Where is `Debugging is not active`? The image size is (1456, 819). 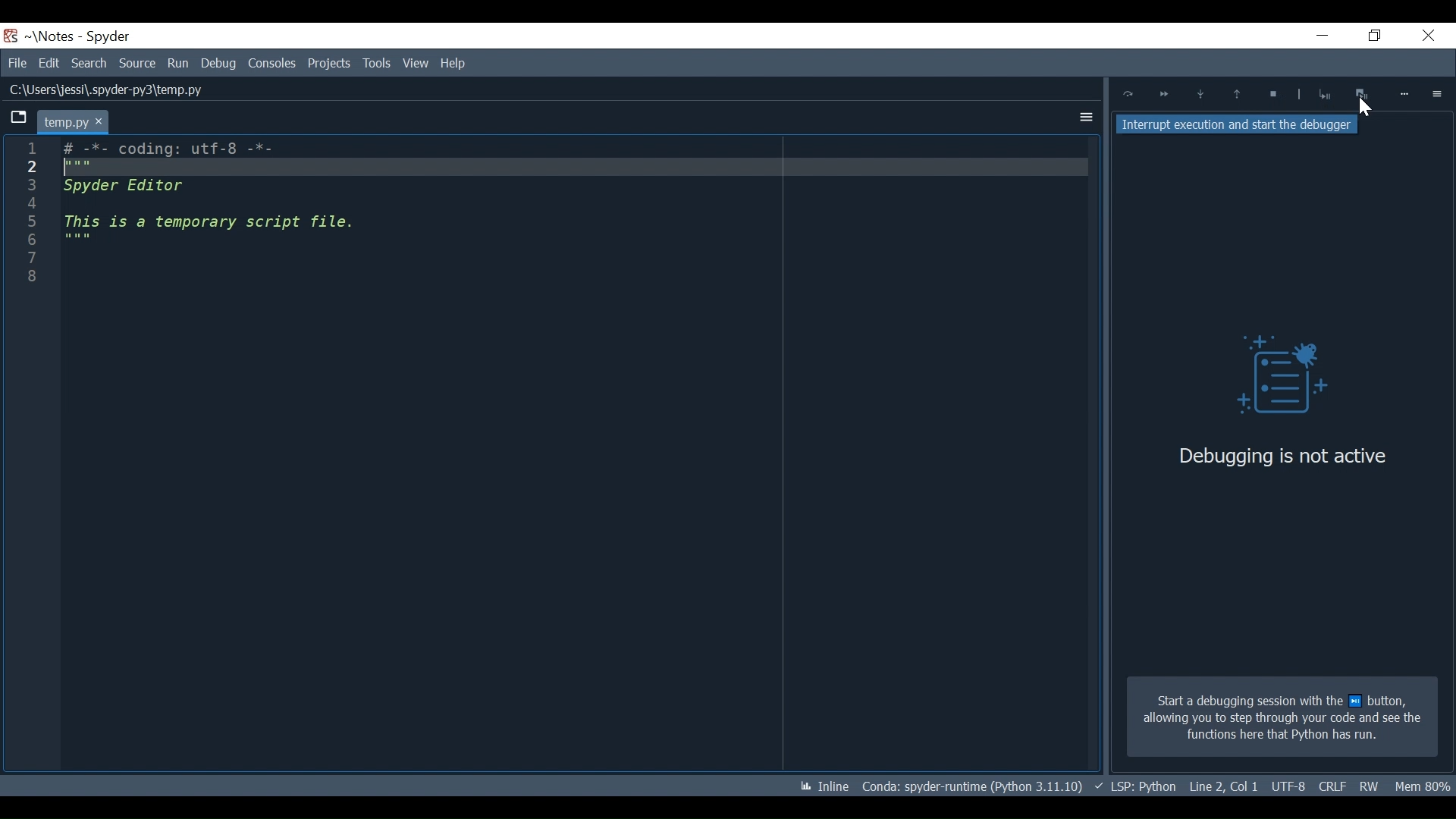
Debugging is not active is located at coordinates (1282, 456).